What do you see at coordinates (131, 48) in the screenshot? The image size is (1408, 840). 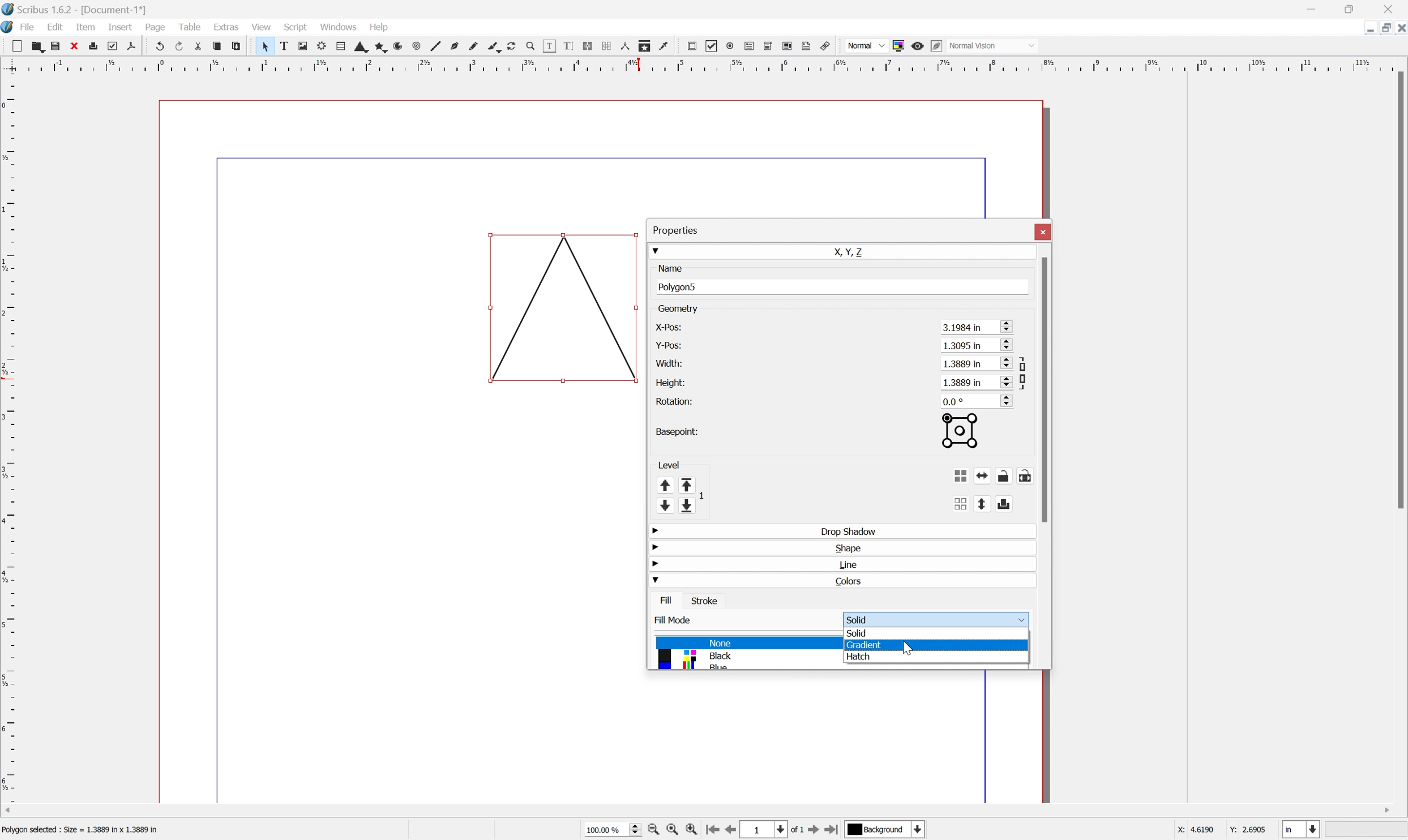 I see `Save as PDF` at bounding box center [131, 48].